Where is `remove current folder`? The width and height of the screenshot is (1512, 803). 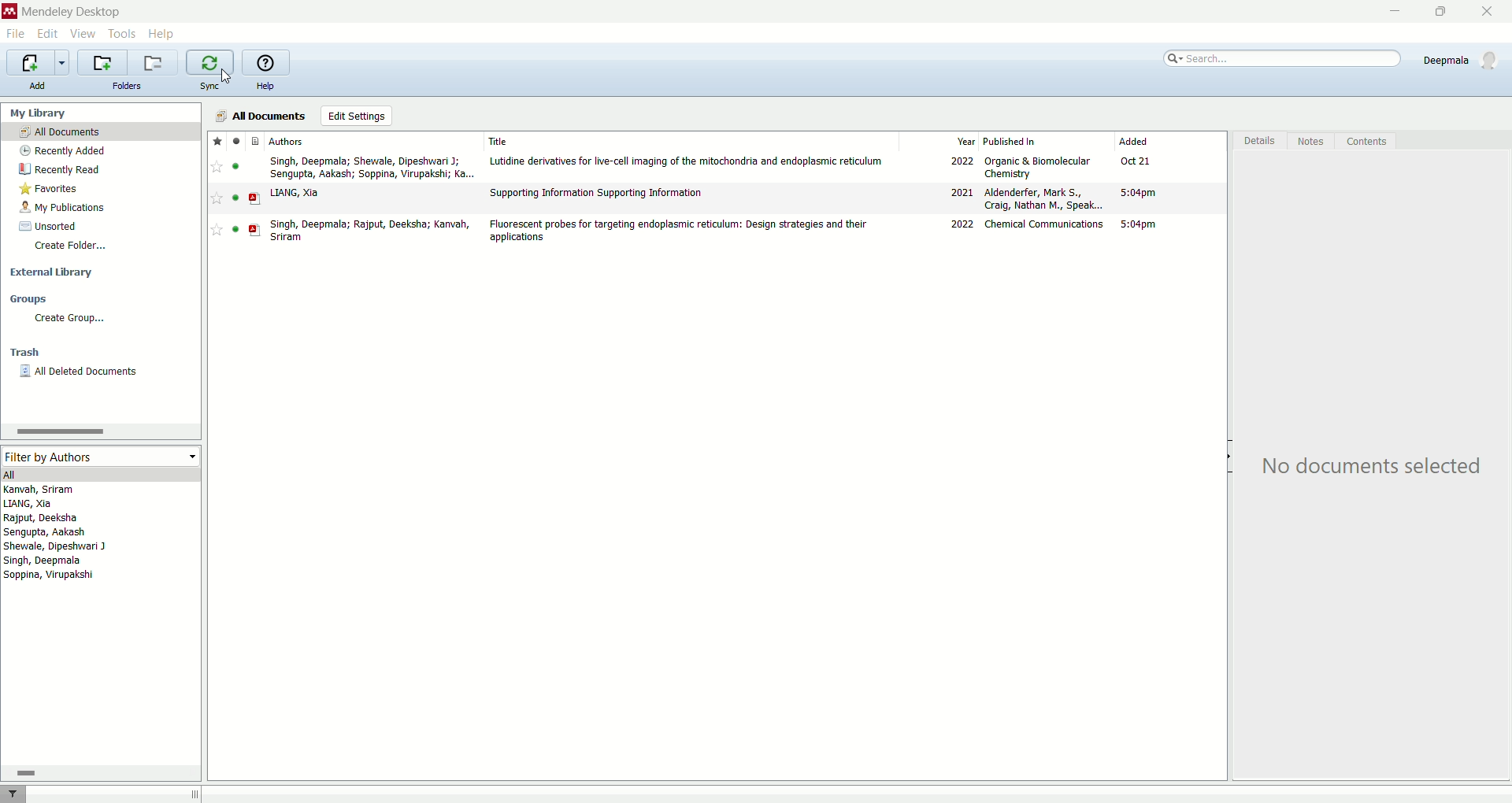 remove current folder is located at coordinates (152, 62).